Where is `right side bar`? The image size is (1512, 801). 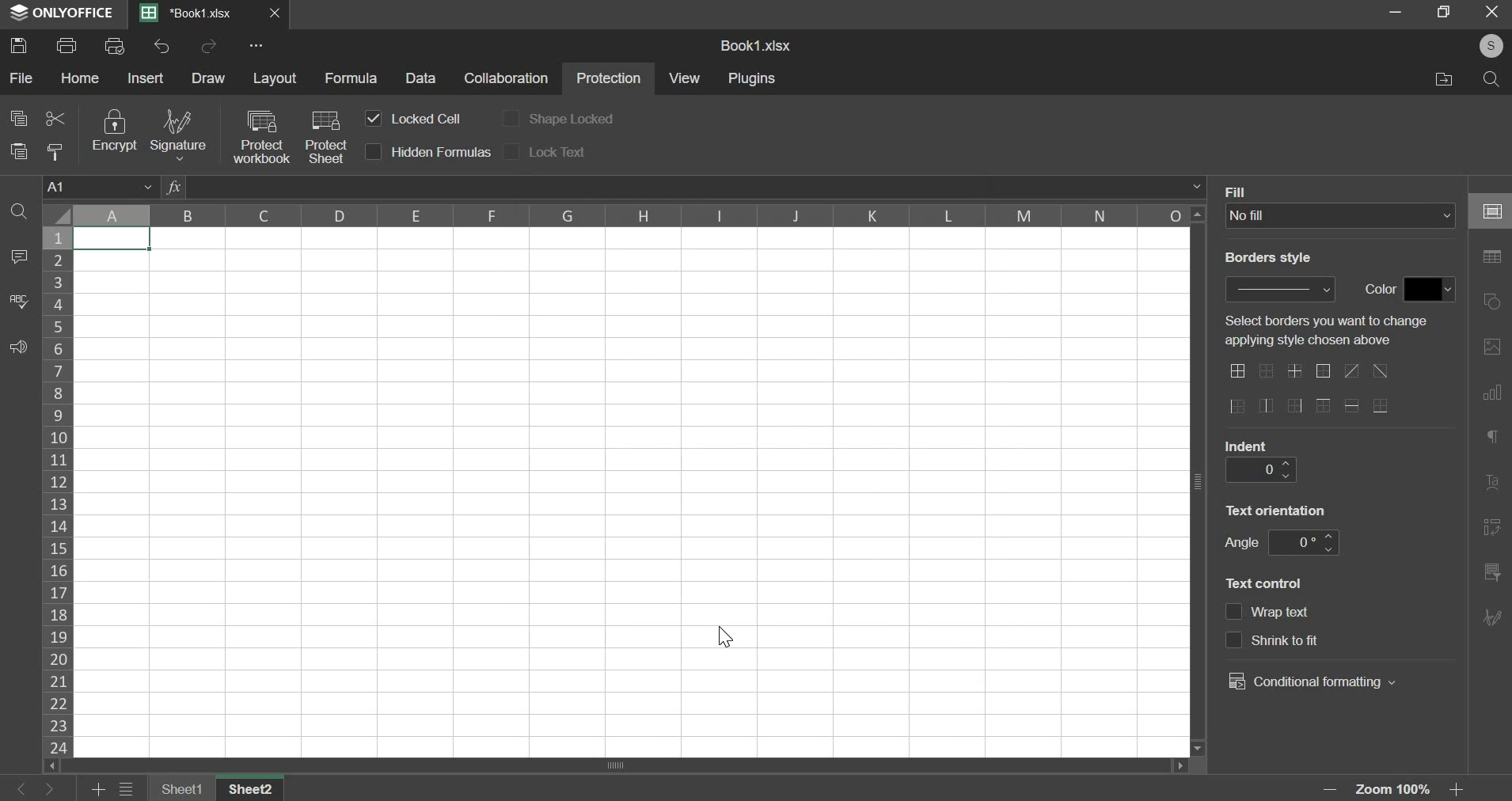
right side bar is located at coordinates (1494, 390).